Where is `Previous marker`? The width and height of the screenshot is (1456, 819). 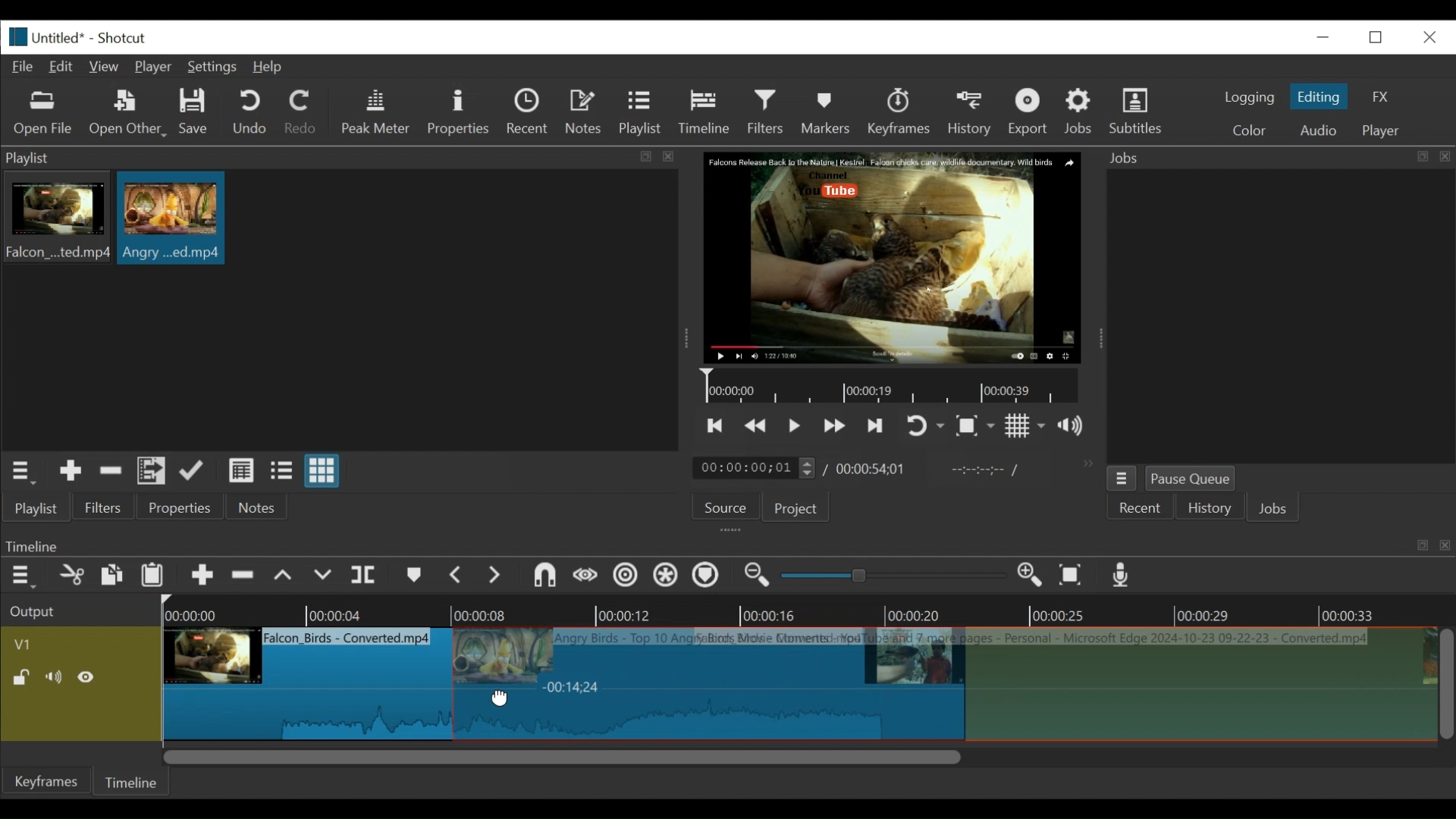 Previous marker is located at coordinates (457, 578).